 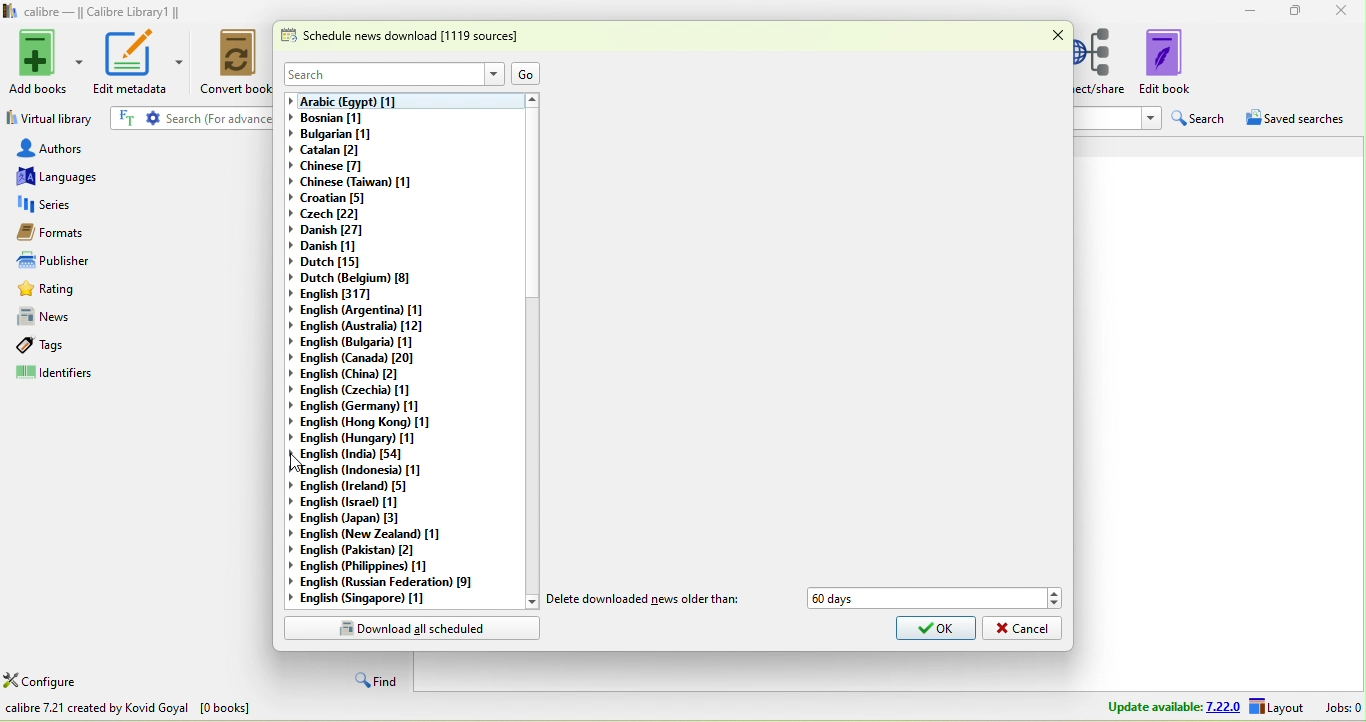 What do you see at coordinates (1149, 118) in the screenshot?
I see `Drop down` at bounding box center [1149, 118].